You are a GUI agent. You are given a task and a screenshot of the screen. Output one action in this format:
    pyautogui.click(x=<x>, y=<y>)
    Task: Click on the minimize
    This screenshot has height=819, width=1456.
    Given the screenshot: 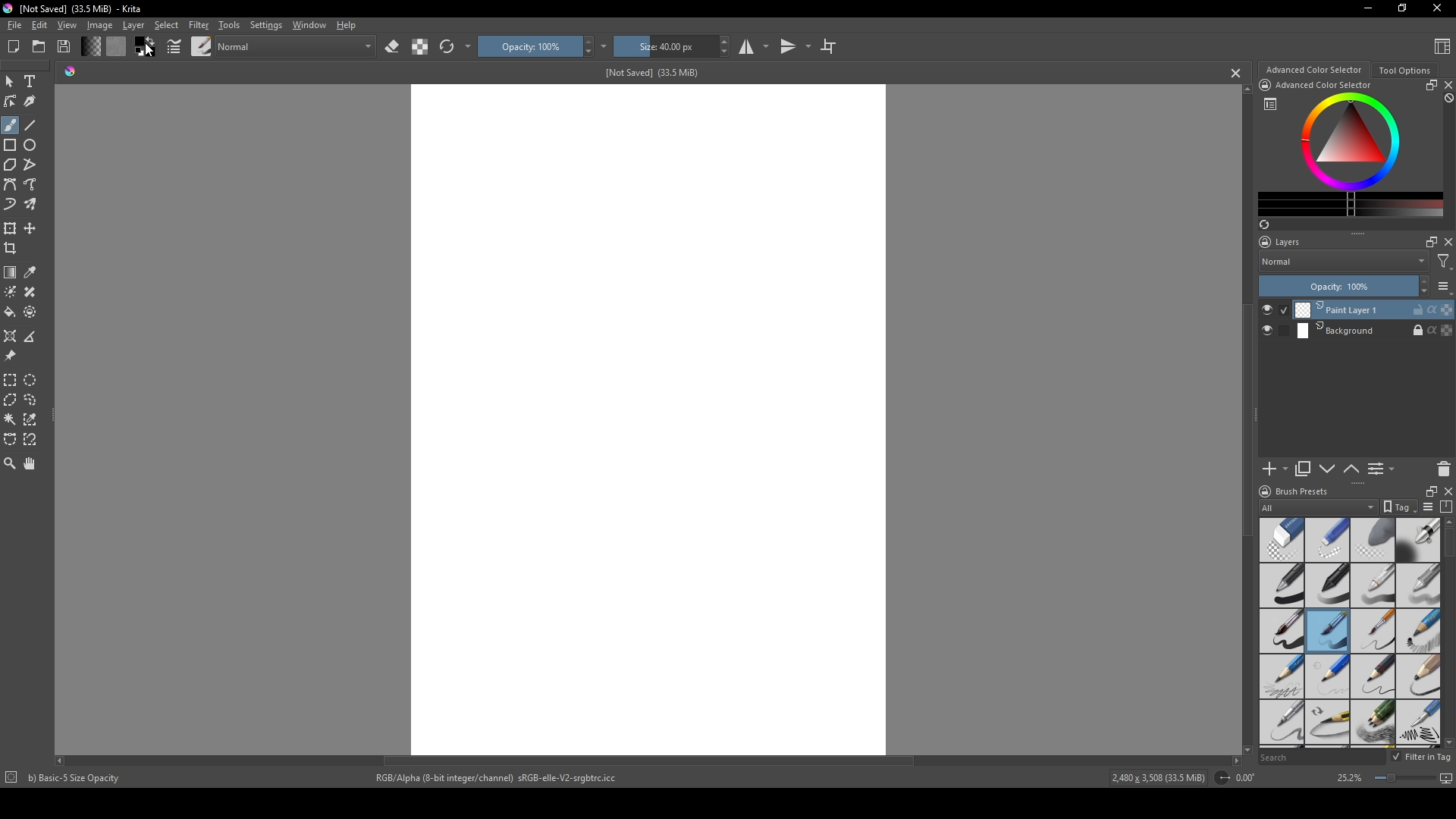 What is the action you would take?
    pyautogui.click(x=1369, y=8)
    